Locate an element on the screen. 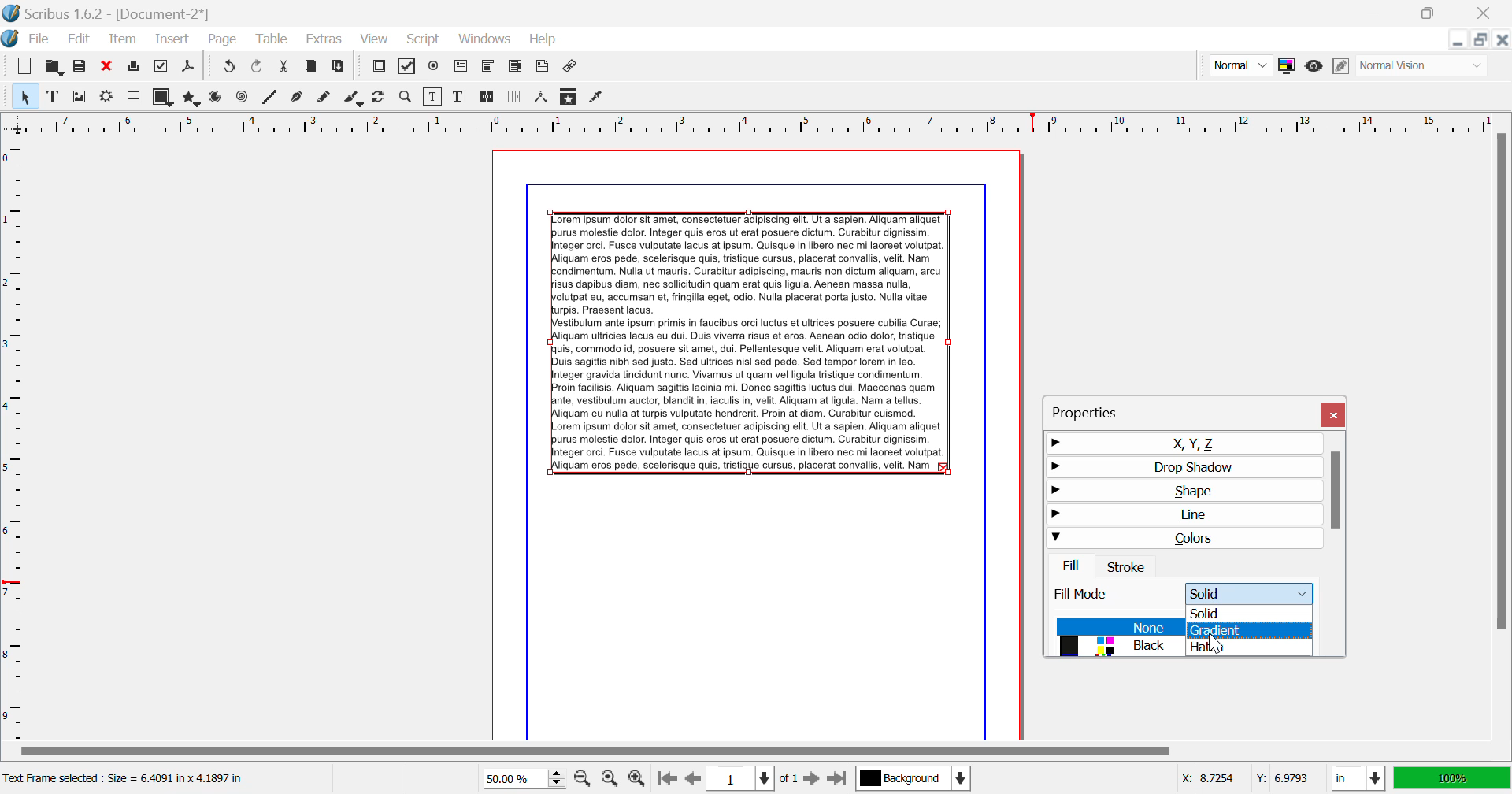 The image size is (1512, 794). File is located at coordinates (28, 39).